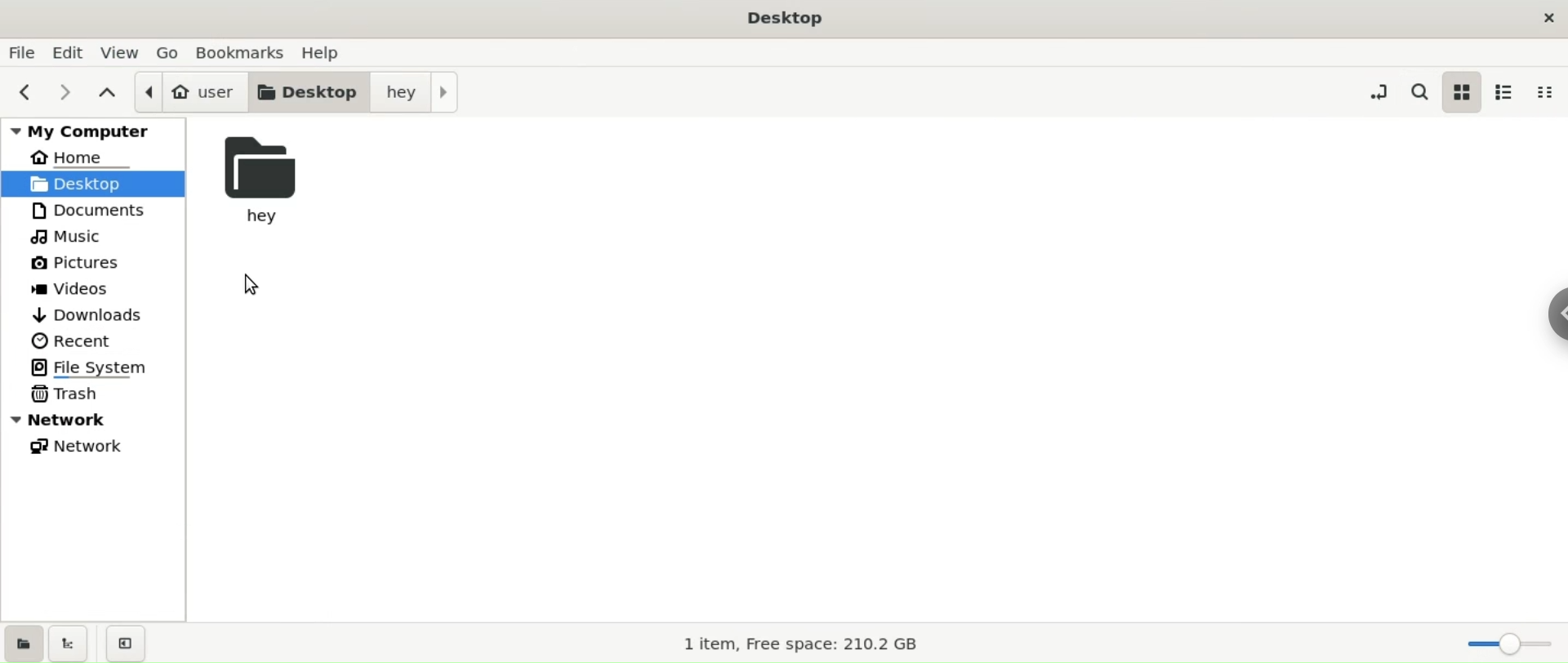 This screenshot has height=663, width=1568. What do you see at coordinates (331, 52) in the screenshot?
I see `help` at bounding box center [331, 52].